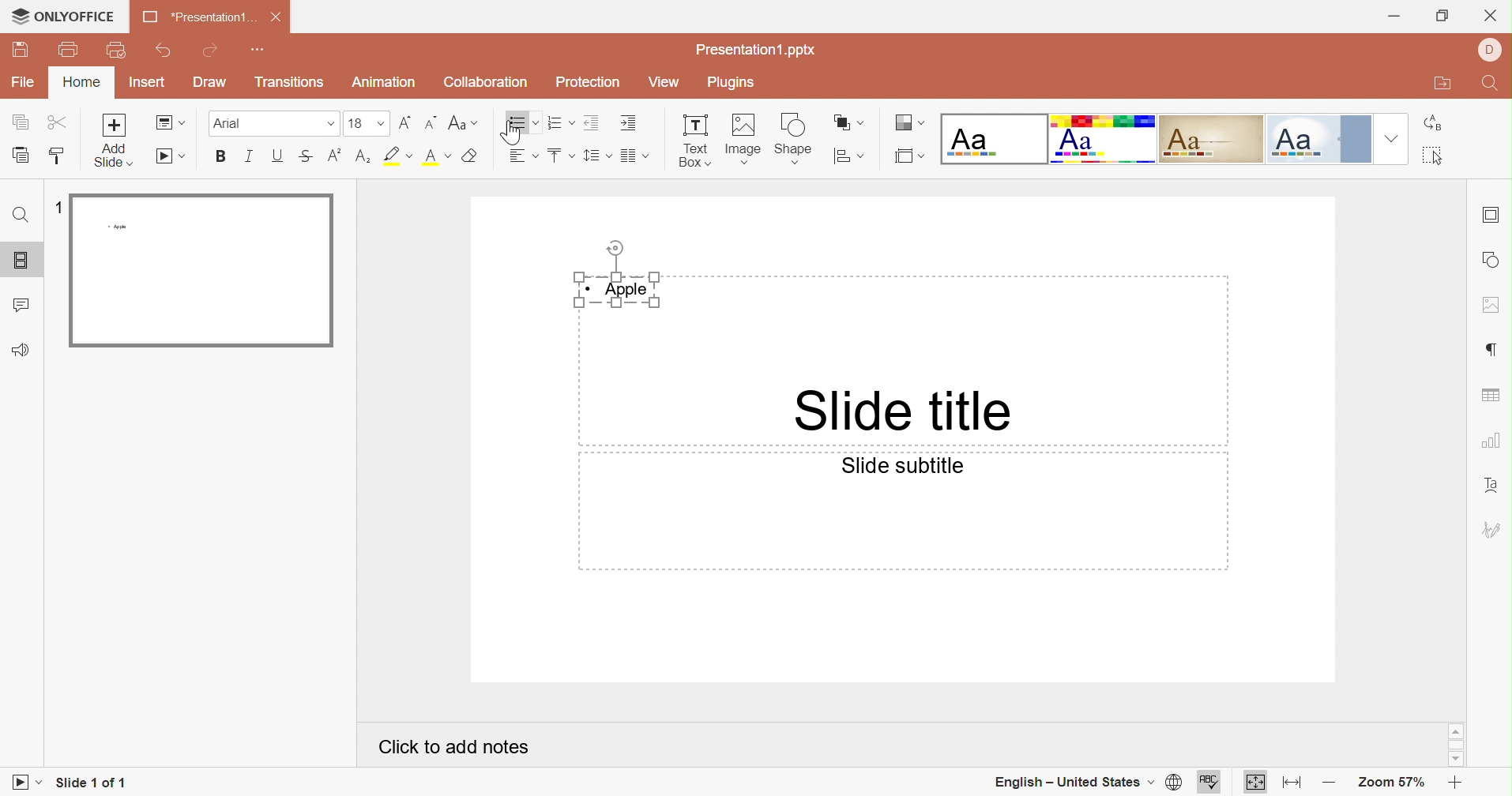  I want to click on Restore Down, so click(1442, 17).